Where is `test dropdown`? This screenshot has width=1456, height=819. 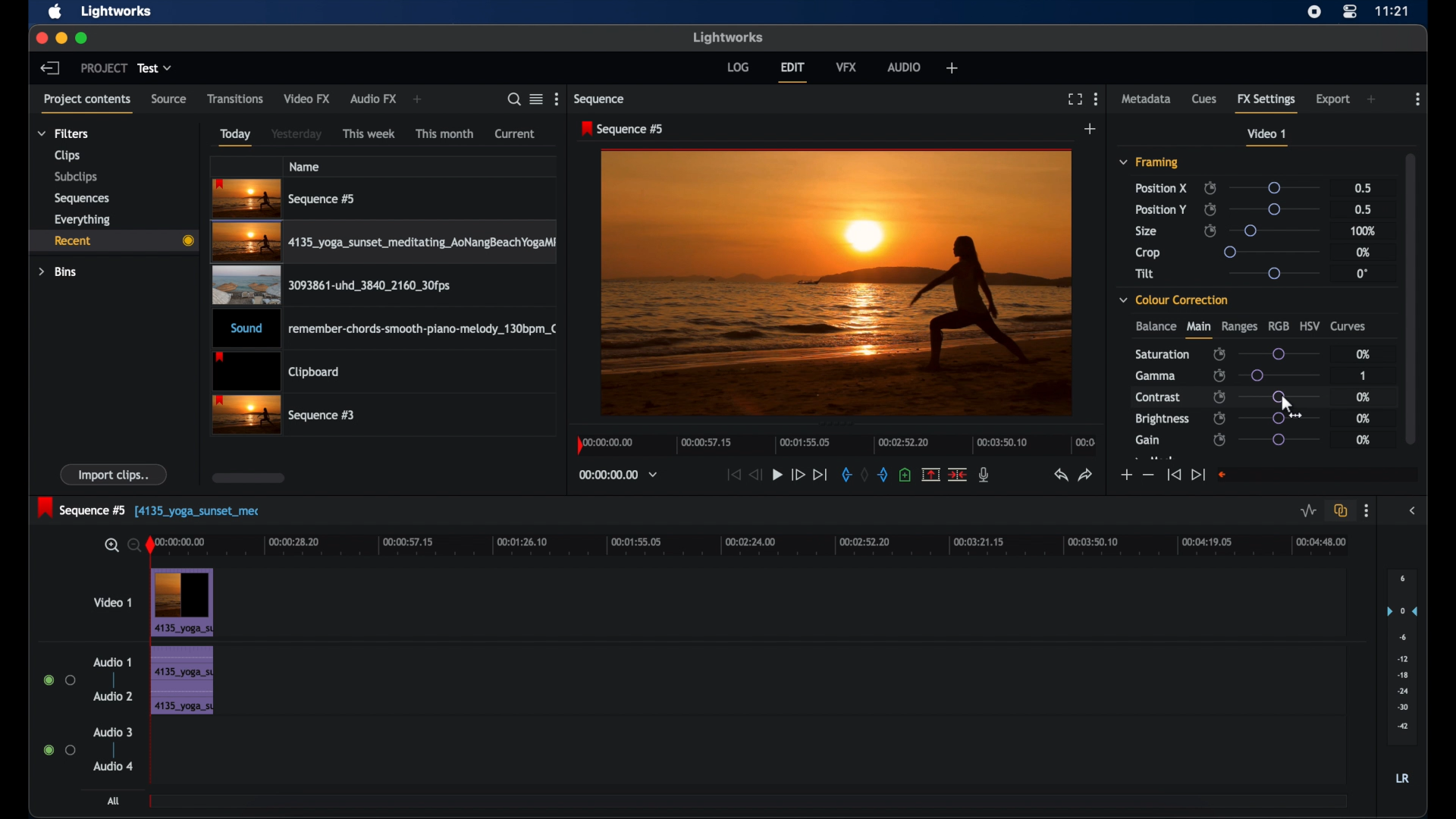
test dropdown is located at coordinates (155, 67).